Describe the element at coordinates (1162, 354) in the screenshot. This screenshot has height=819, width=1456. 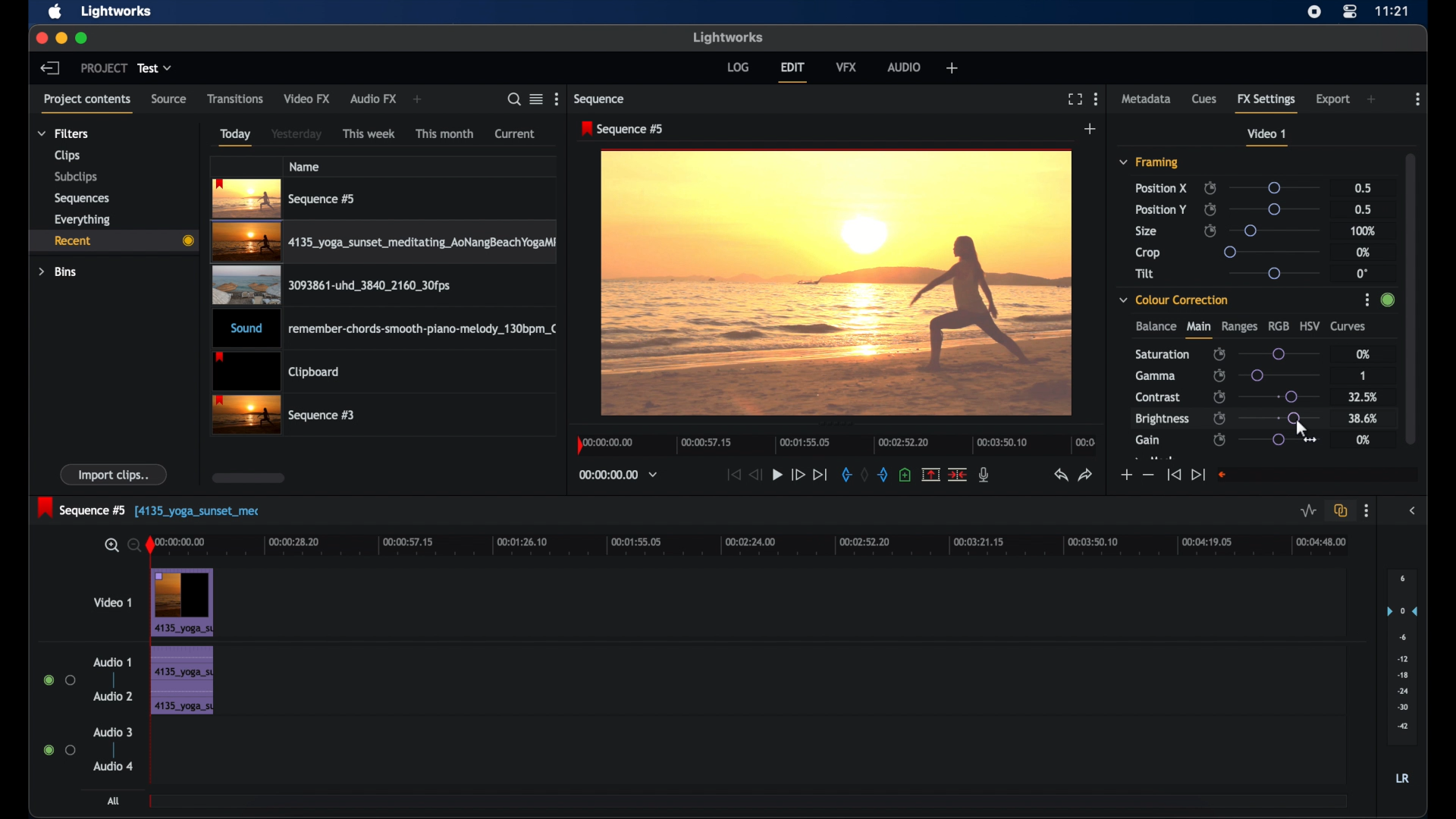
I see `saturation` at that location.